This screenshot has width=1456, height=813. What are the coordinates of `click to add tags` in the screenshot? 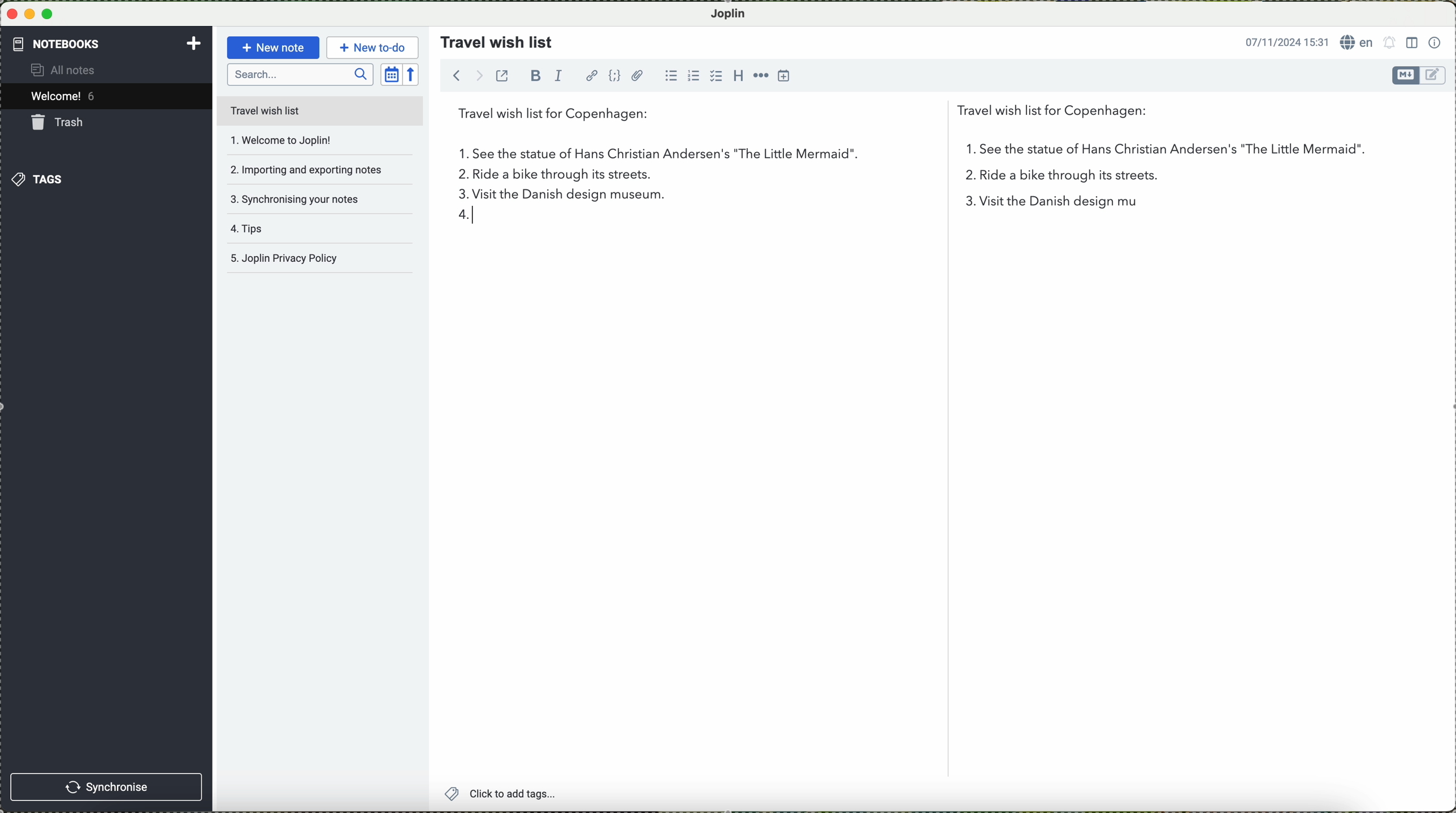 It's located at (530, 794).